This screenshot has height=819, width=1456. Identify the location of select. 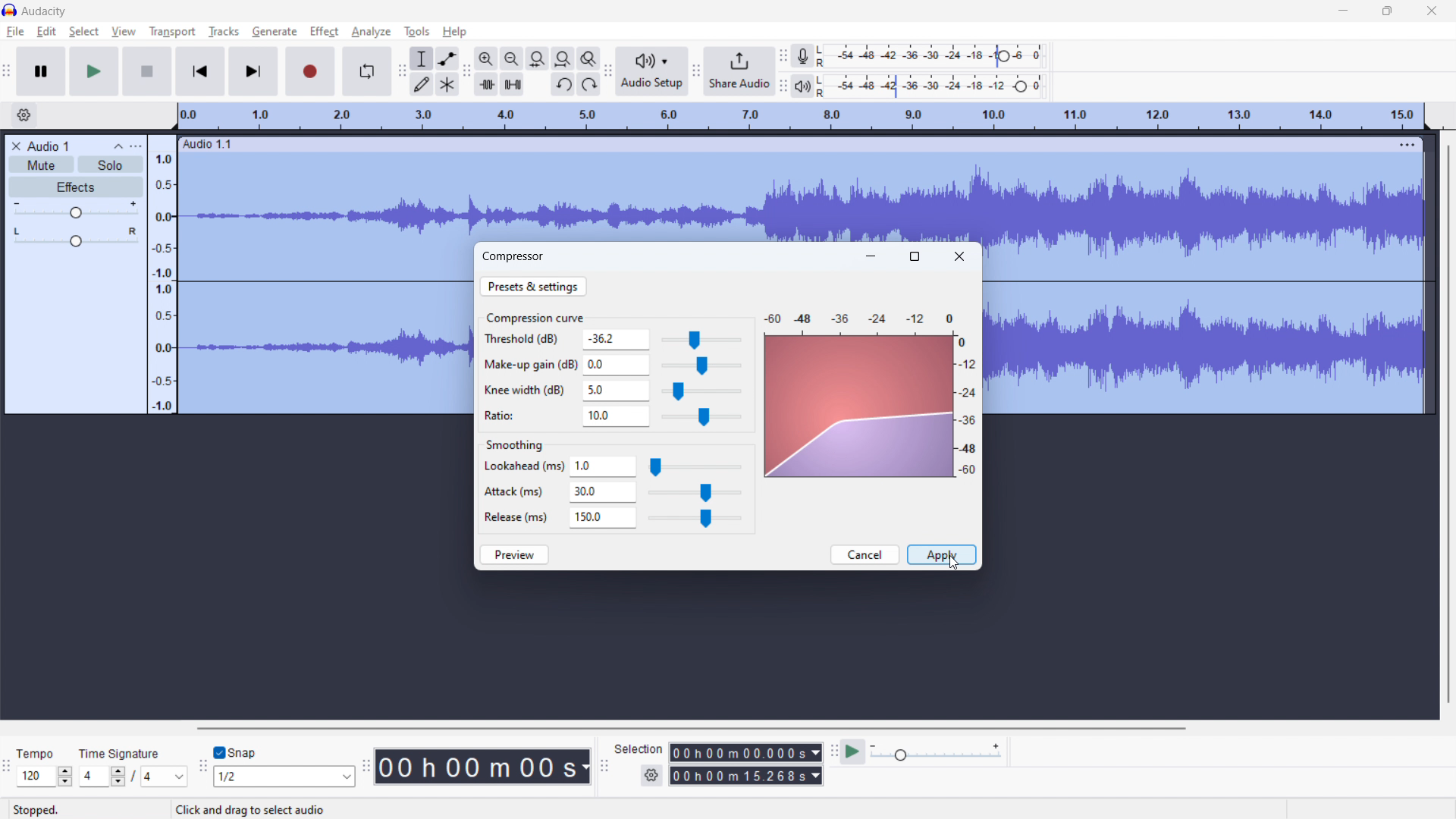
(84, 32).